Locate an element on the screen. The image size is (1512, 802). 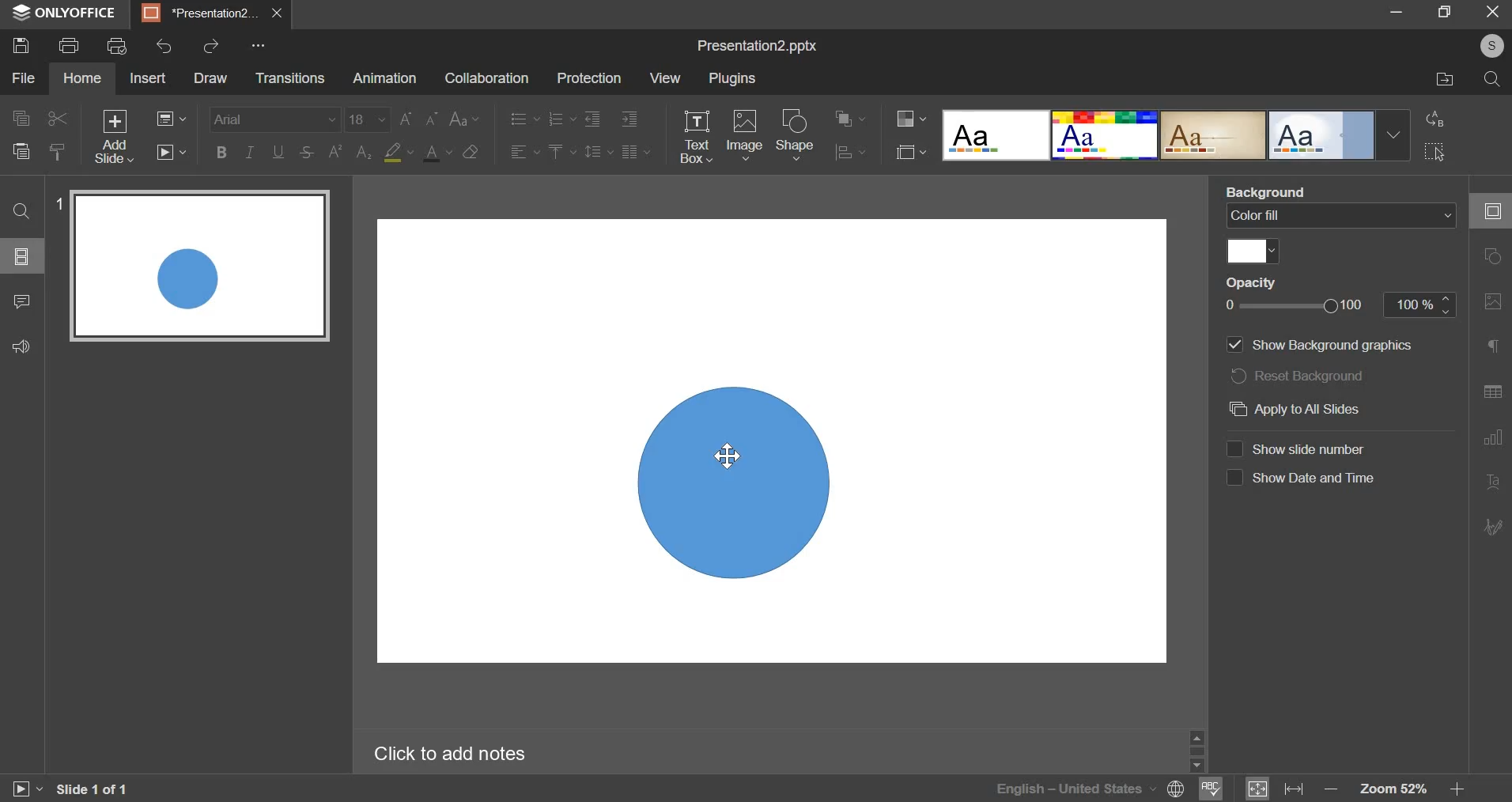
language is located at coordinates (1090, 789).